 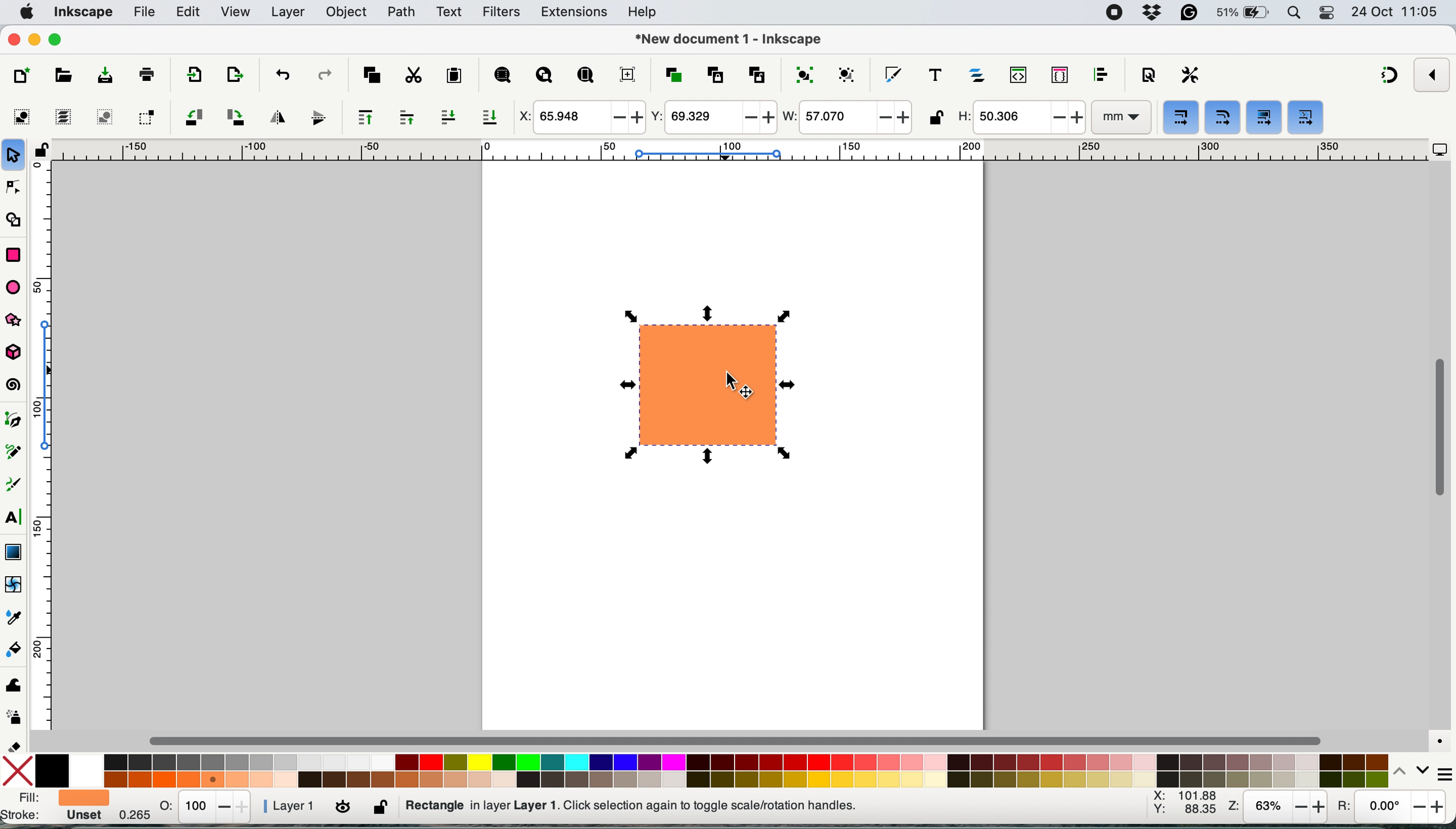 I want to click on y coordinate, so click(x=712, y=117).